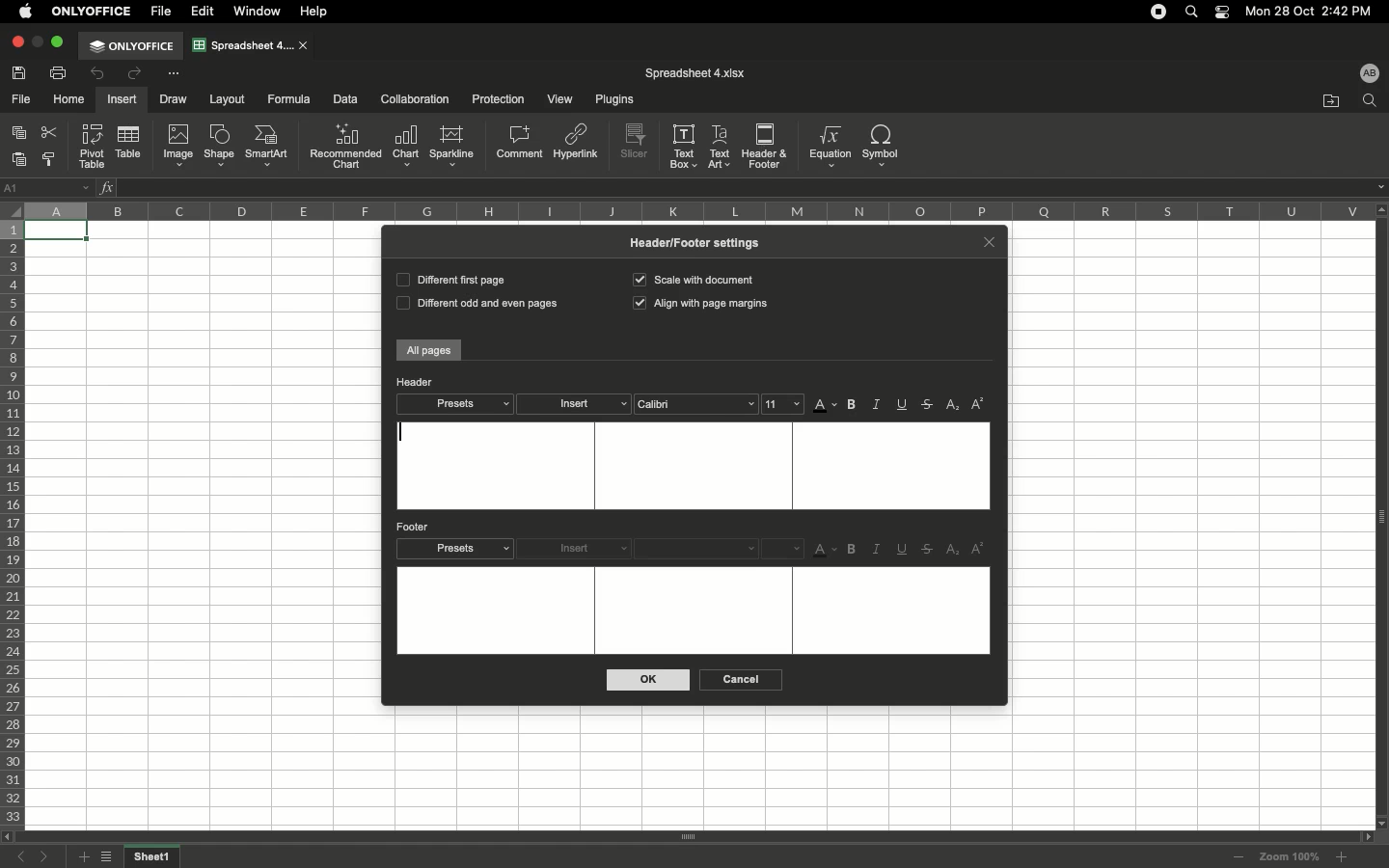 This screenshot has width=1389, height=868. What do you see at coordinates (695, 73) in the screenshot?
I see `File name` at bounding box center [695, 73].